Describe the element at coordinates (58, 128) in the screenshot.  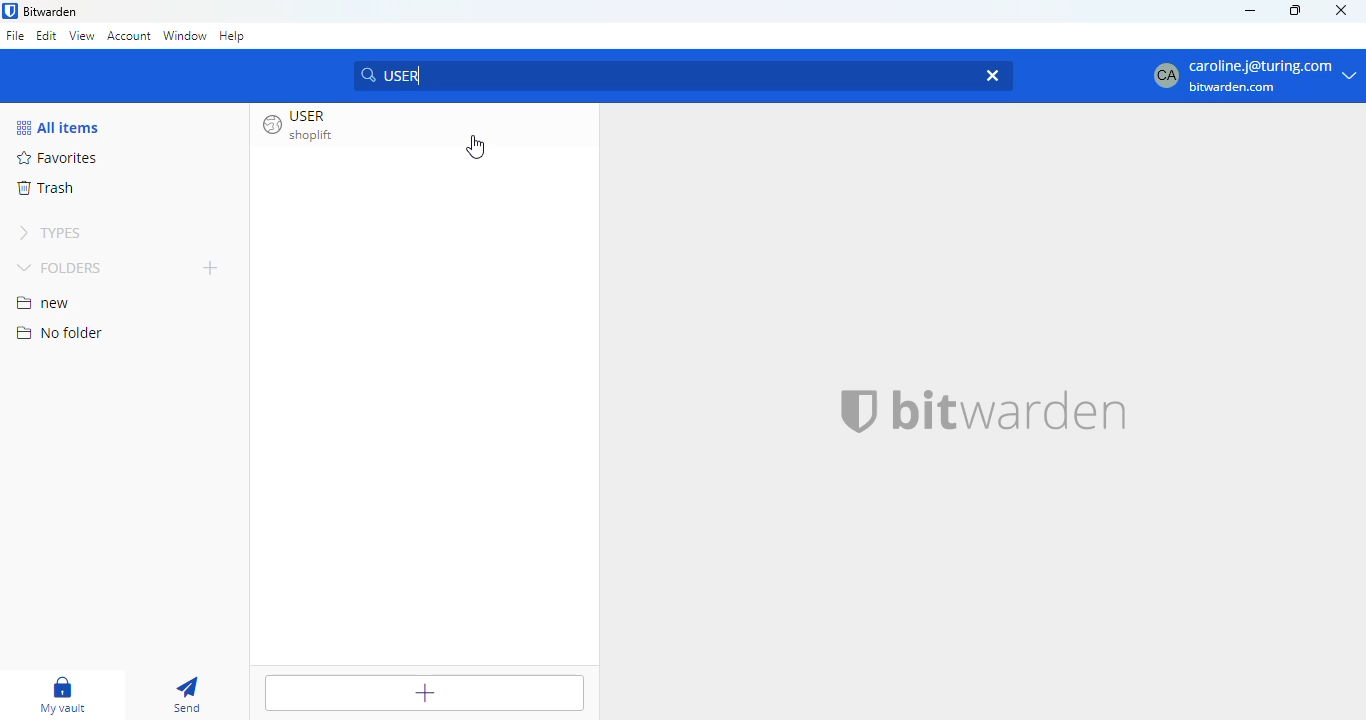
I see `all items` at that location.